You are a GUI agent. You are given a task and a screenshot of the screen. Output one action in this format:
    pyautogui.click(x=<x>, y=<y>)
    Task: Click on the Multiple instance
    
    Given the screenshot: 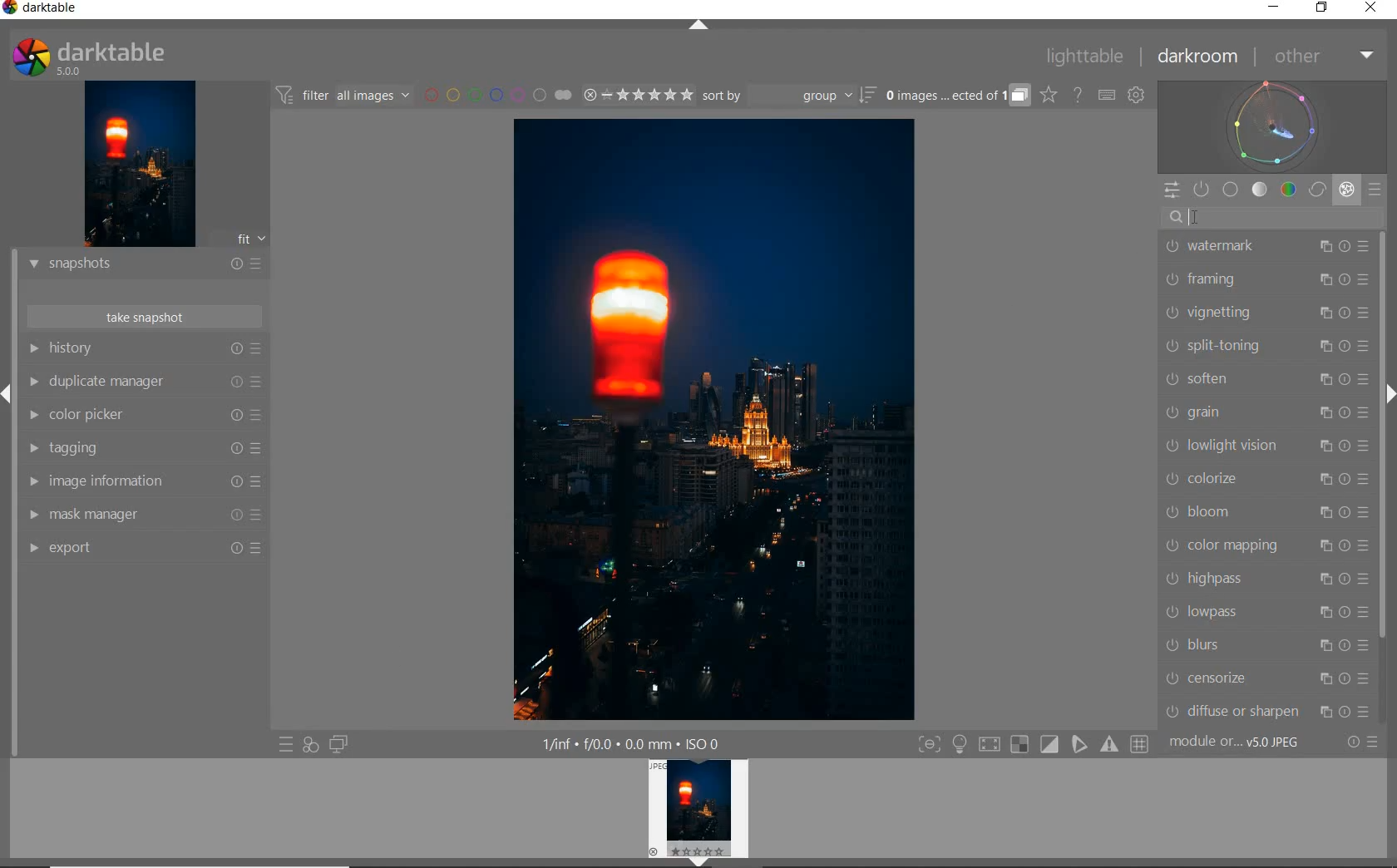 What is the action you would take?
    pyautogui.click(x=1323, y=710)
    